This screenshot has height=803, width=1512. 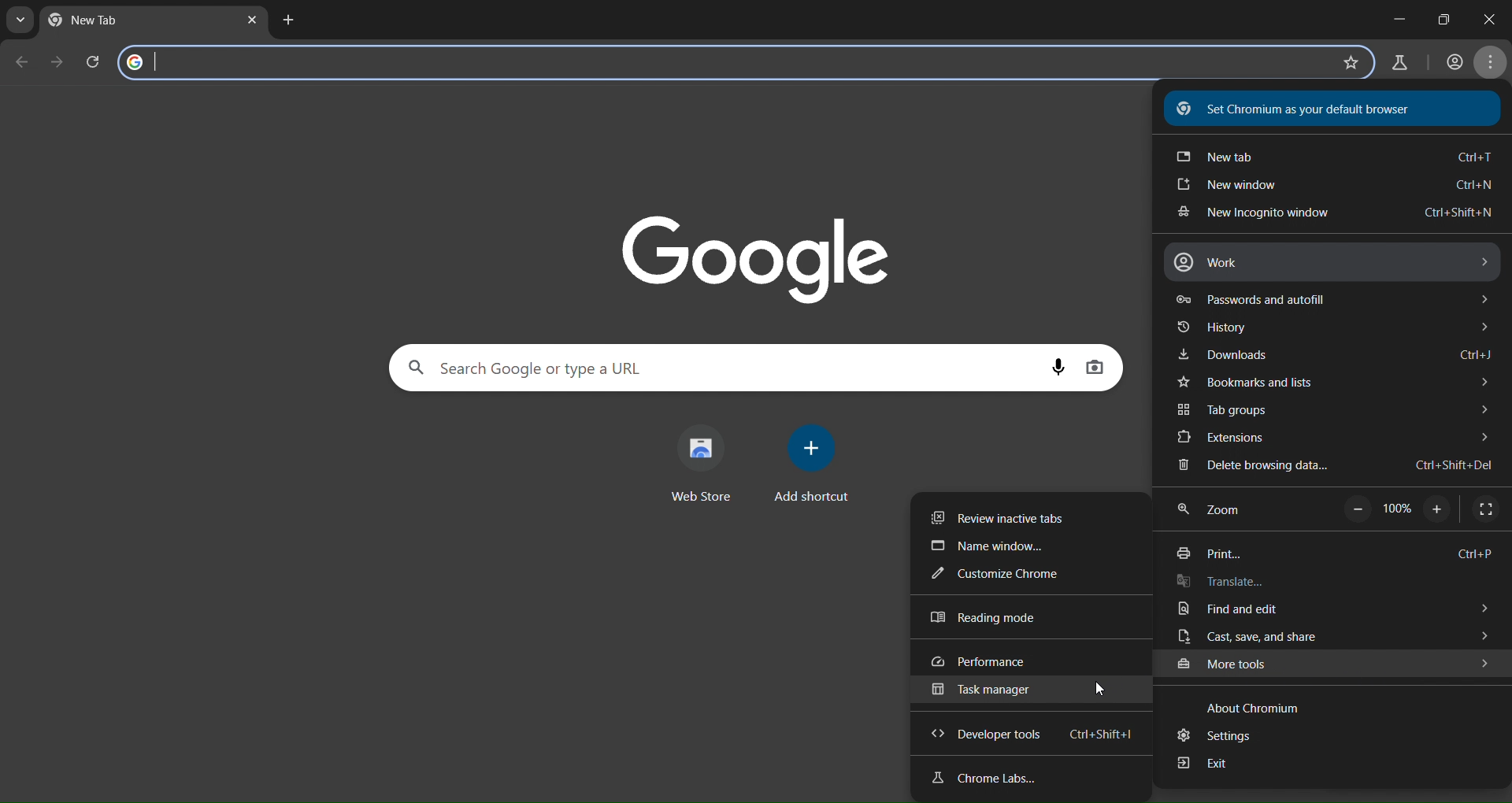 What do you see at coordinates (1444, 16) in the screenshot?
I see `maximize` at bounding box center [1444, 16].